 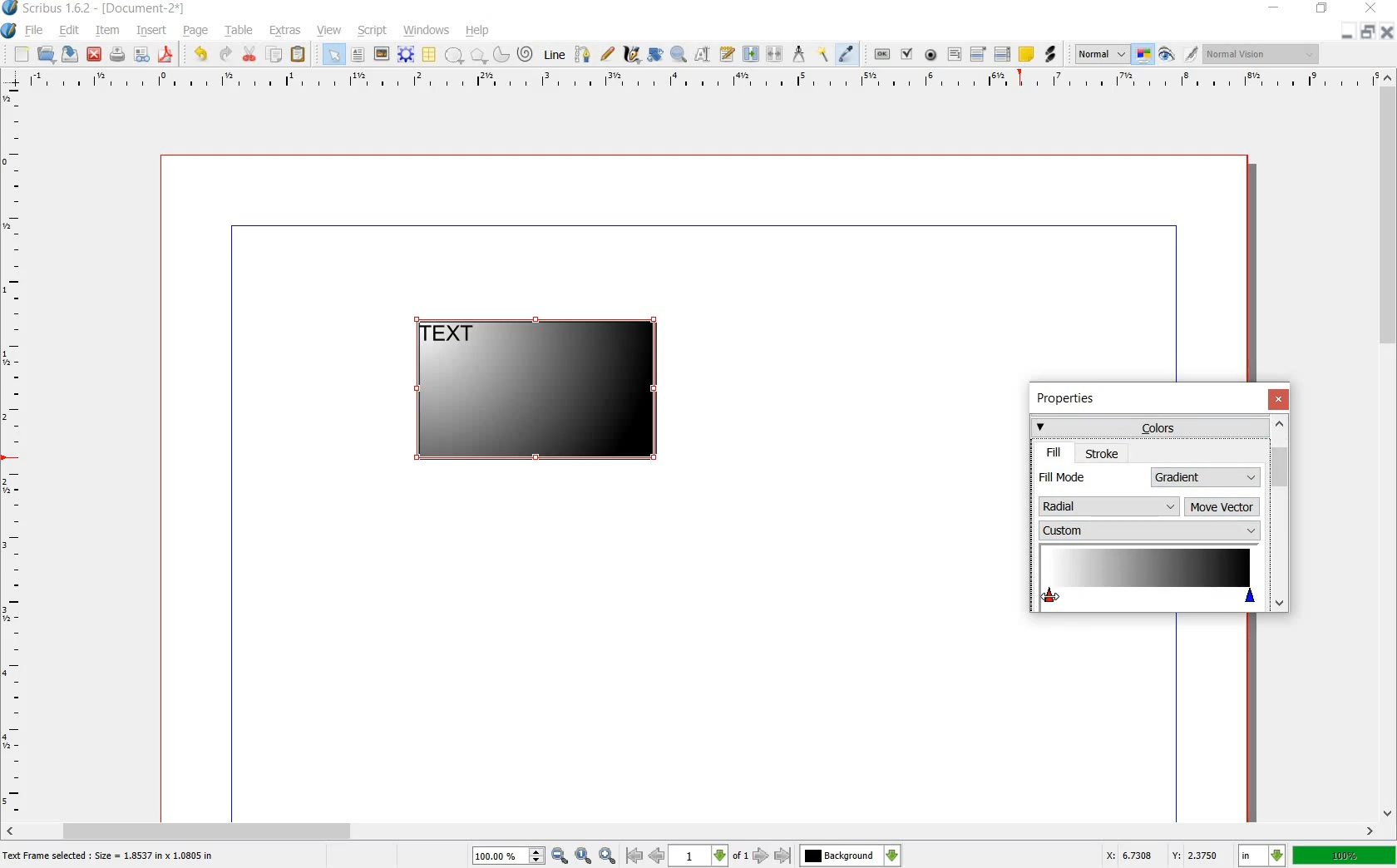 I want to click on in, so click(x=1263, y=856).